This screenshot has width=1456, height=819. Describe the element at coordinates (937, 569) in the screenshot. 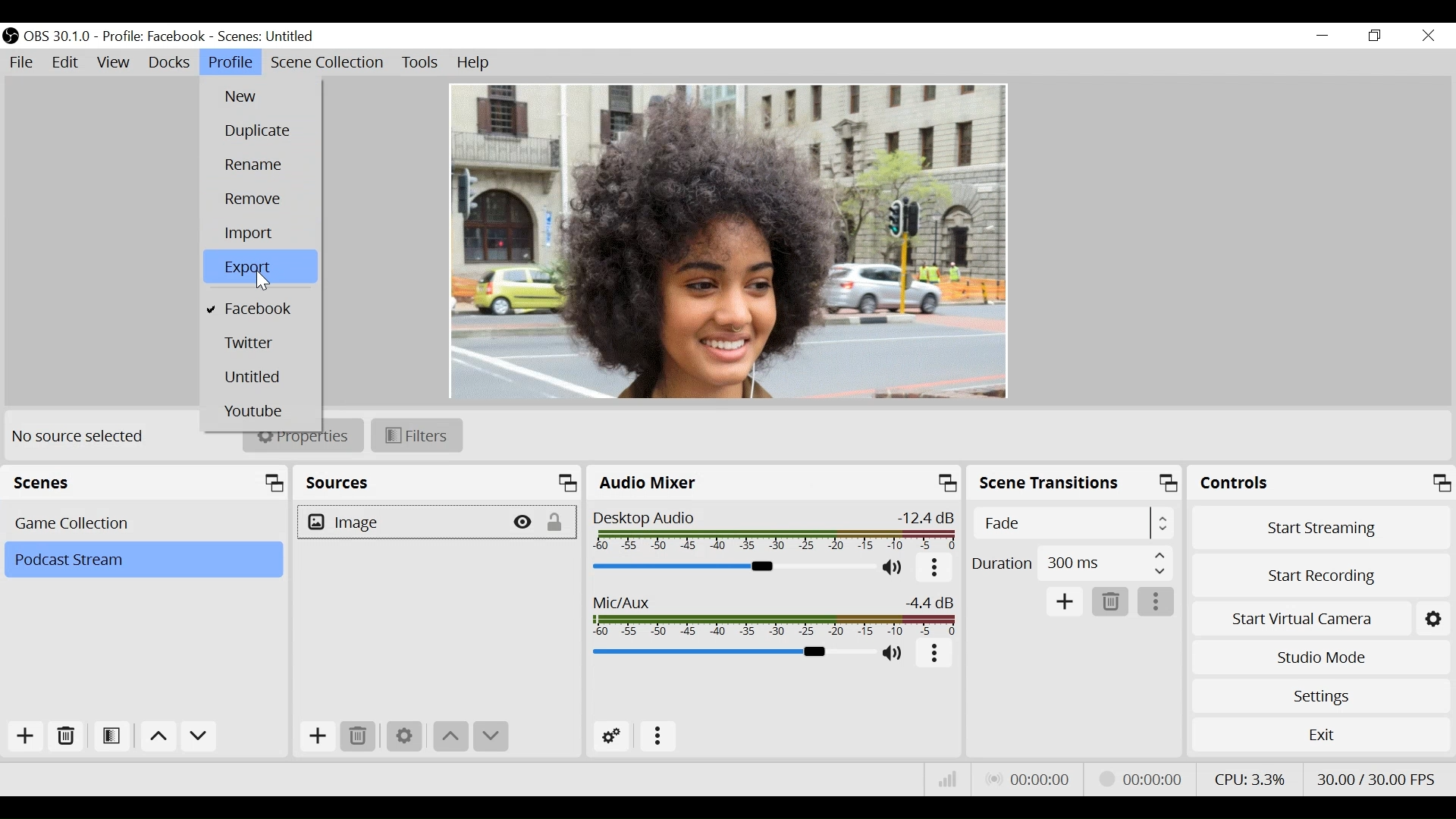

I see `More options` at that location.